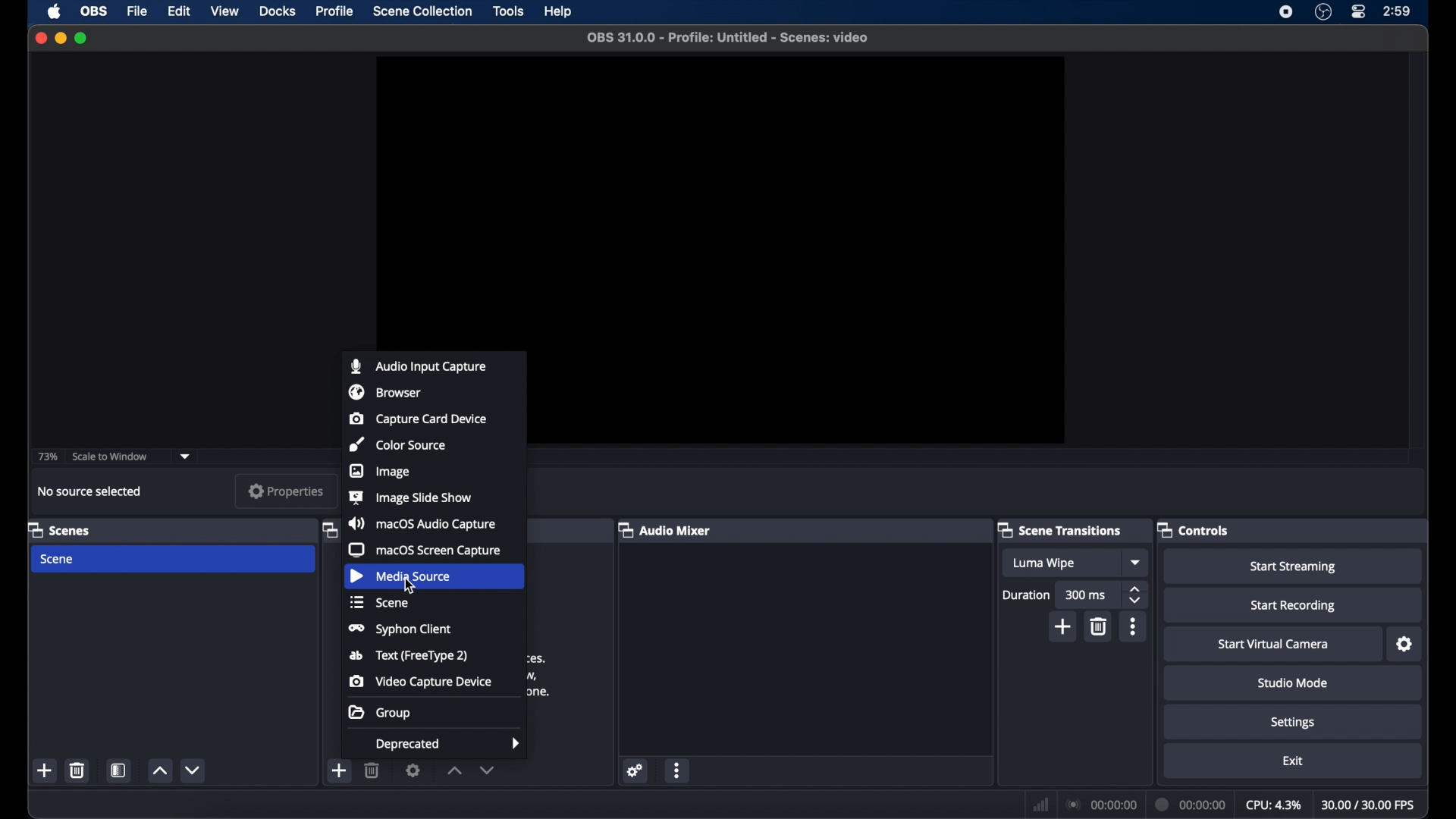 The height and width of the screenshot is (819, 1456). I want to click on more options, so click(677, 770).